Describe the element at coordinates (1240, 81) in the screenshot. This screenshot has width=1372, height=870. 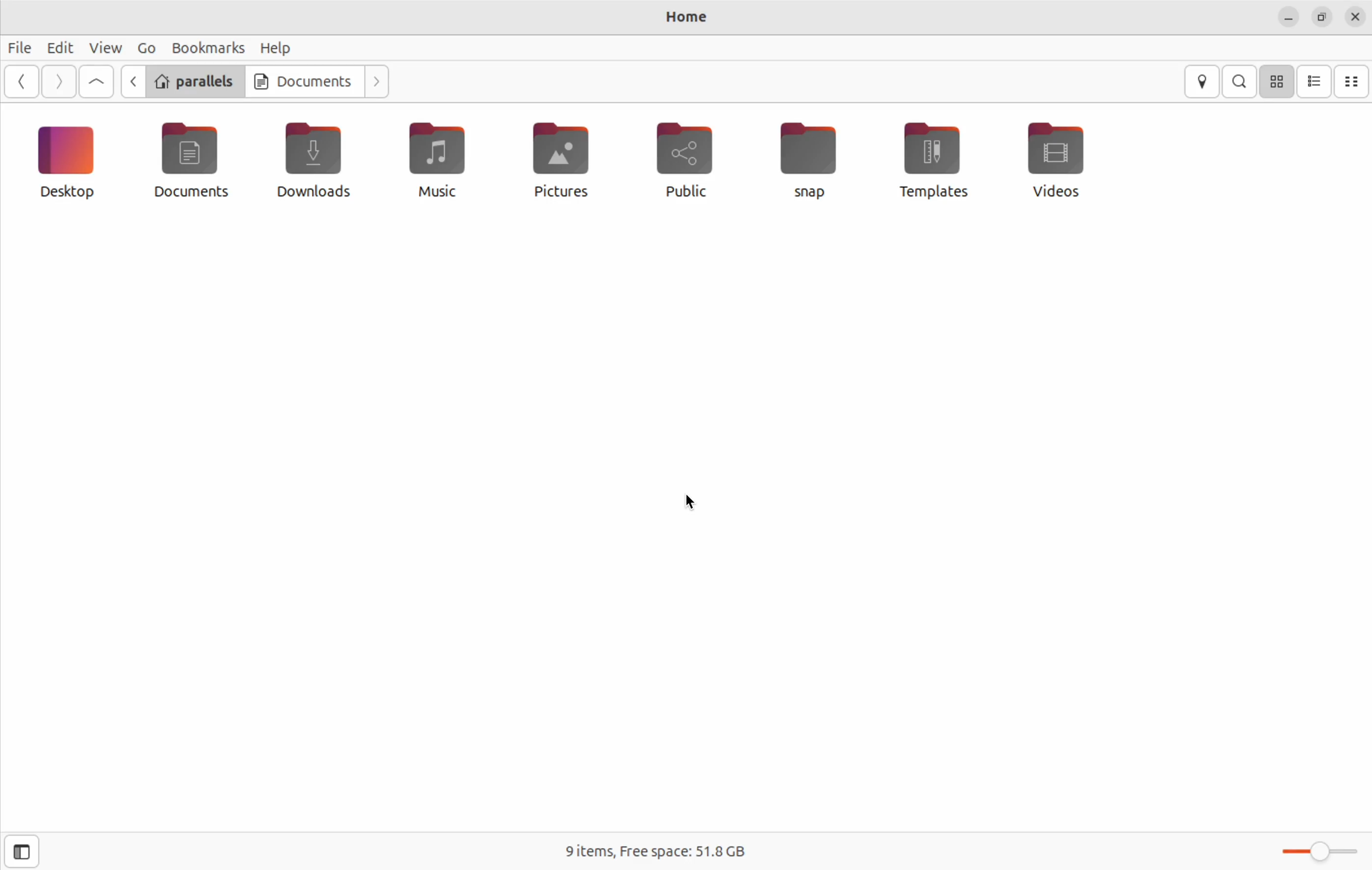
I see `search` at that location.